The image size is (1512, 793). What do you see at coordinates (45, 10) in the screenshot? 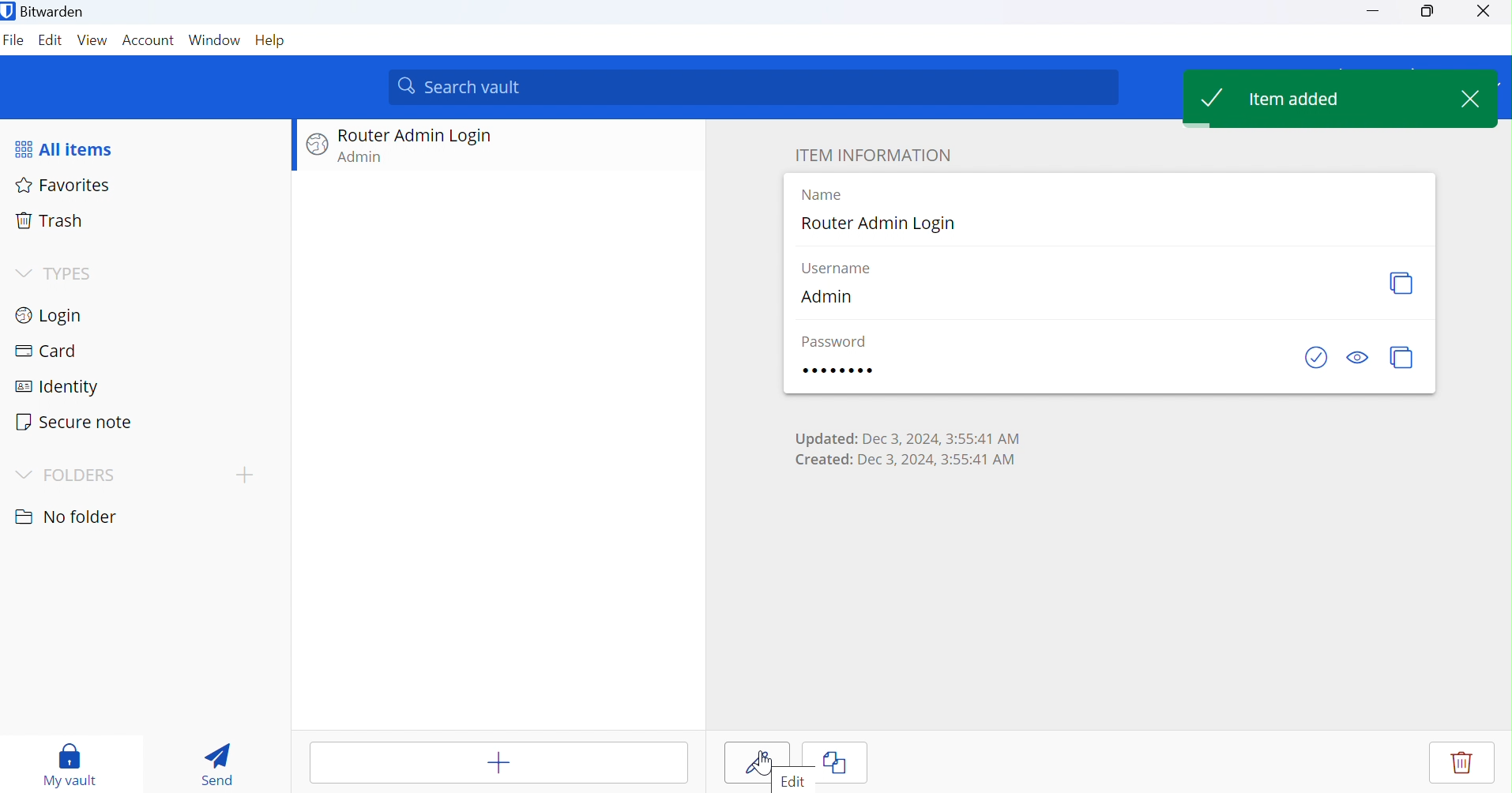
I see `Bitwarden` at bounding box center [45, 10].